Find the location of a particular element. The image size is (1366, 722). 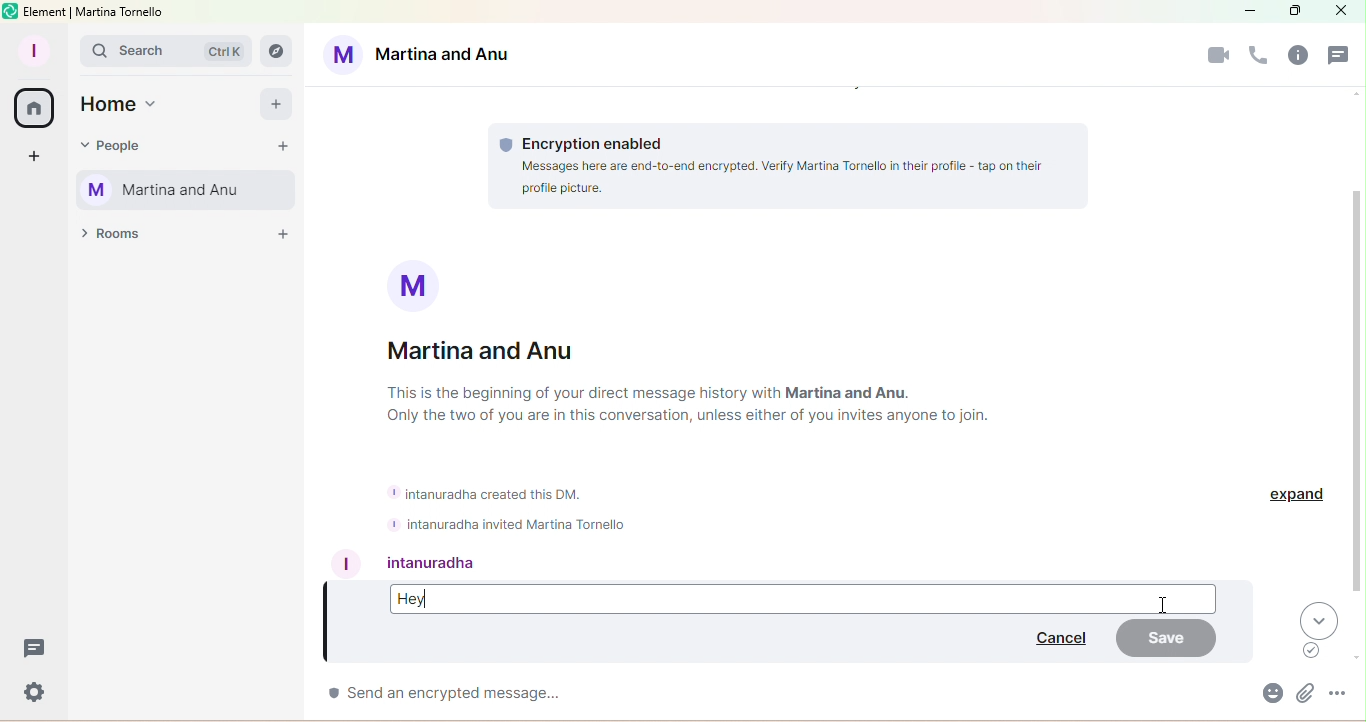

More options is located at coordinates (1343, 698).